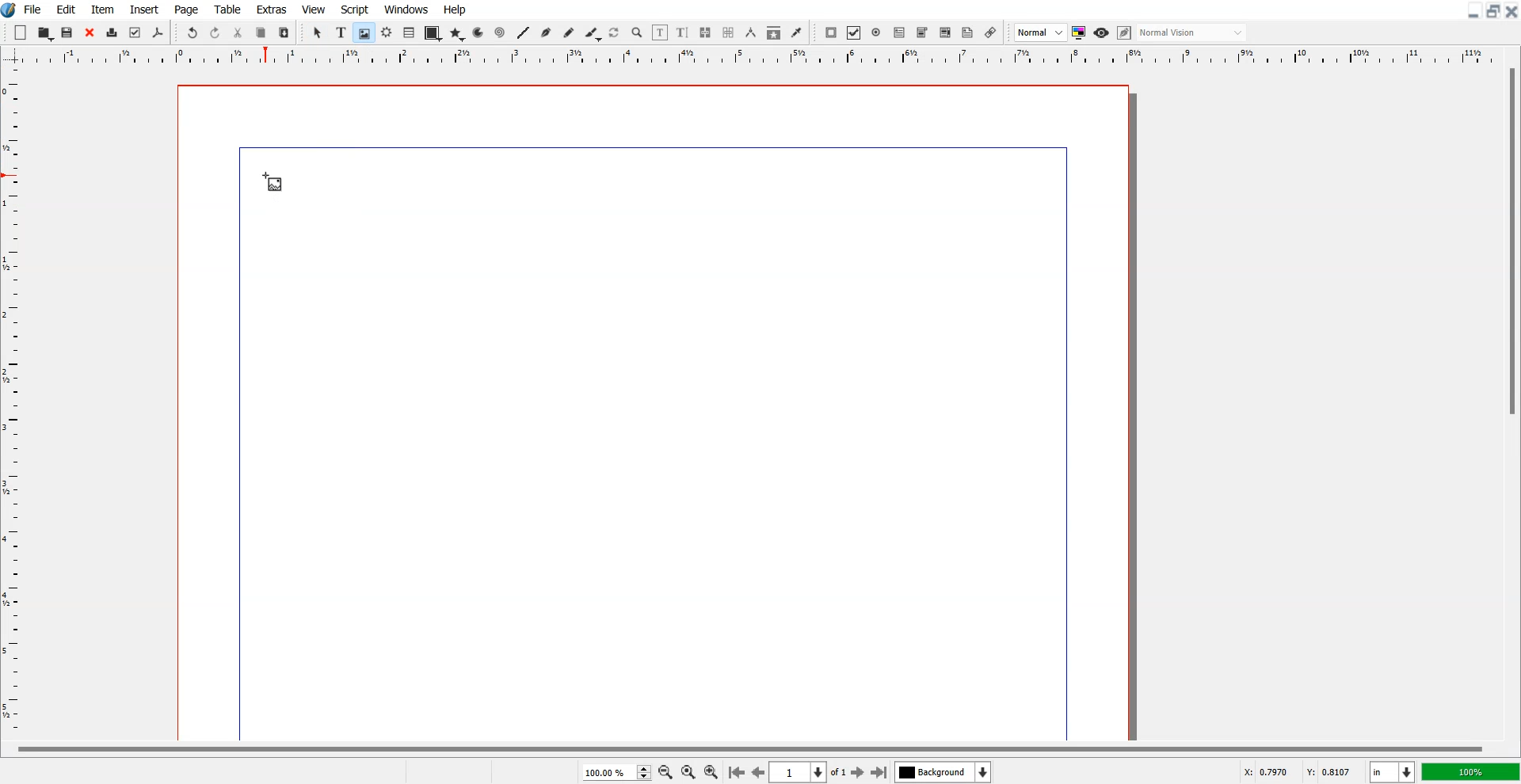 The width and height of the screenshot is (1521, 784). What do you see at coordinates (143, 9) in the screenshot?
I see `Insert` at bounding box center [143, 9].